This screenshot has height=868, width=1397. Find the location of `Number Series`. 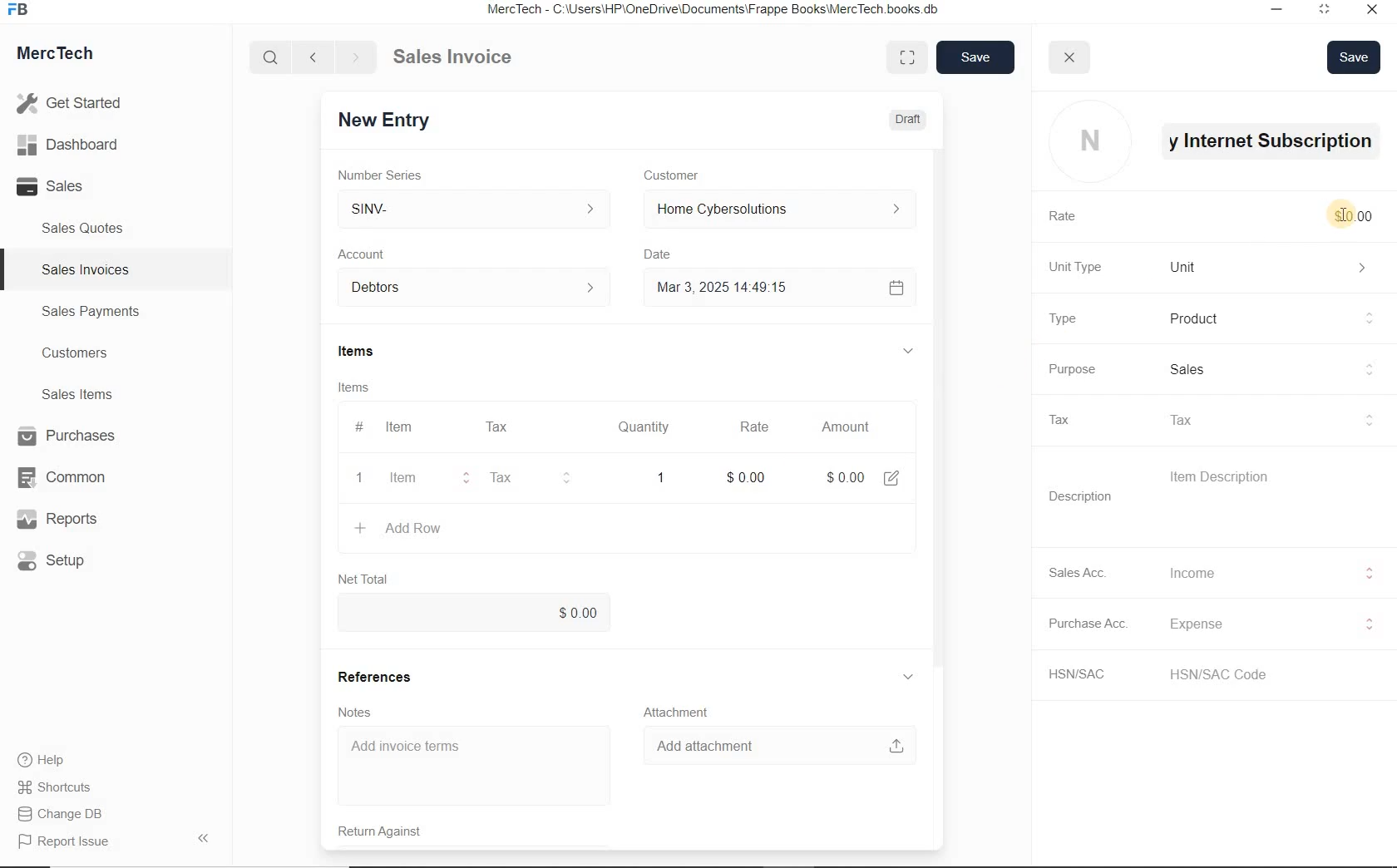

Number Series is located at coordinates (390, 173).